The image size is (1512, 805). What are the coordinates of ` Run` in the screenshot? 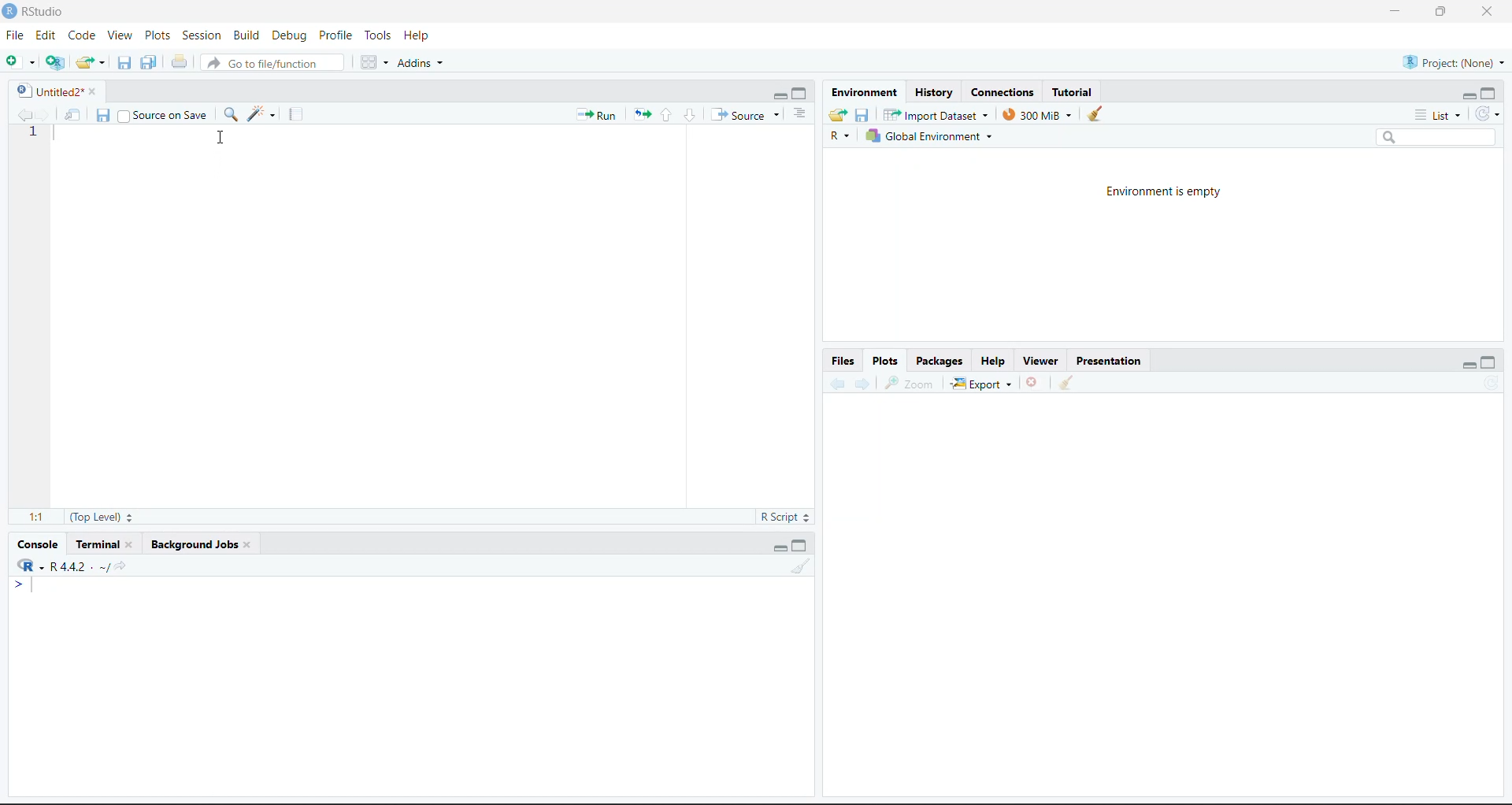 It's located at (595, 116).